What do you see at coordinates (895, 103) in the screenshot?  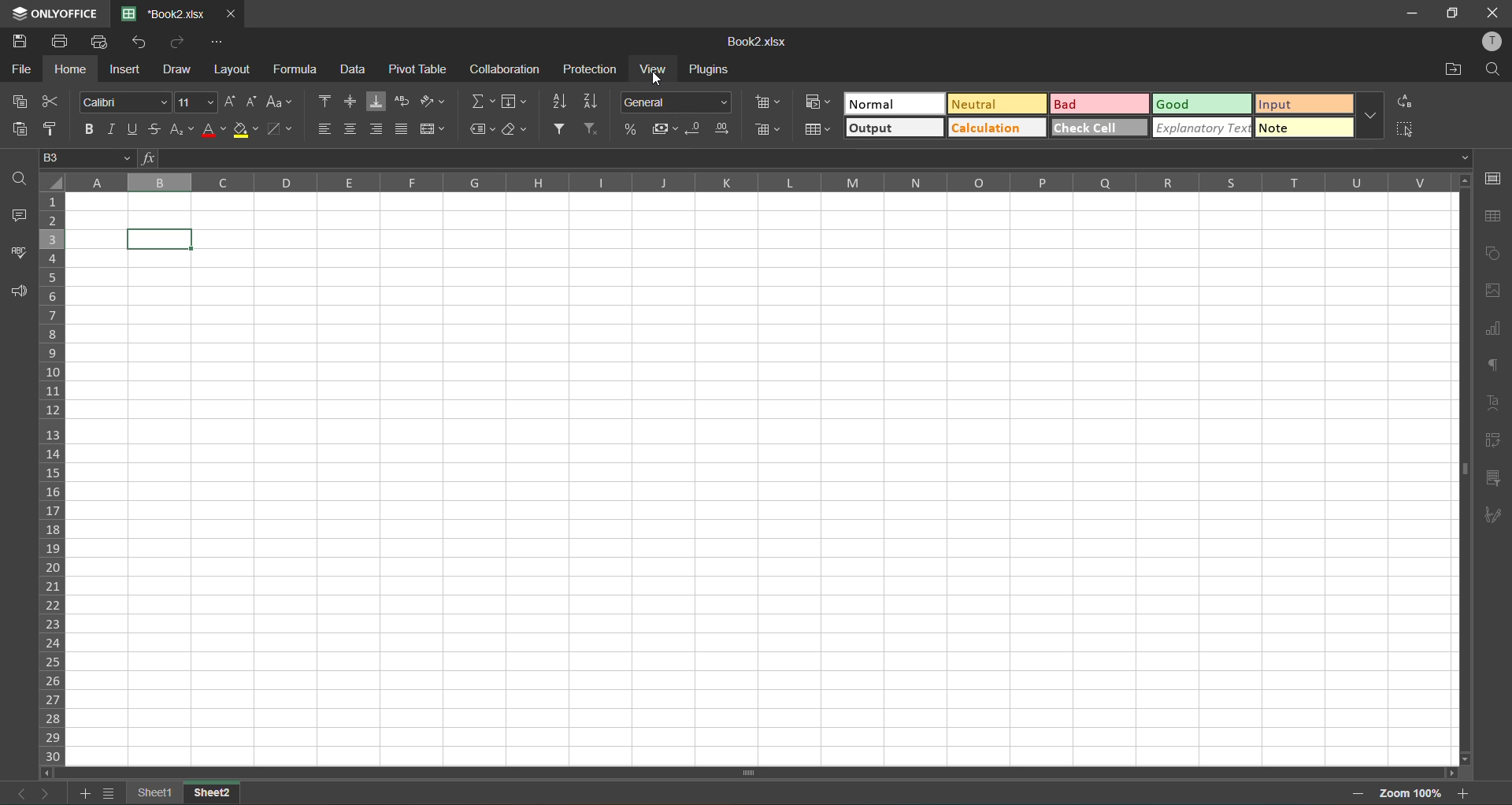 I see `normal` at bounding box center [895, 103].